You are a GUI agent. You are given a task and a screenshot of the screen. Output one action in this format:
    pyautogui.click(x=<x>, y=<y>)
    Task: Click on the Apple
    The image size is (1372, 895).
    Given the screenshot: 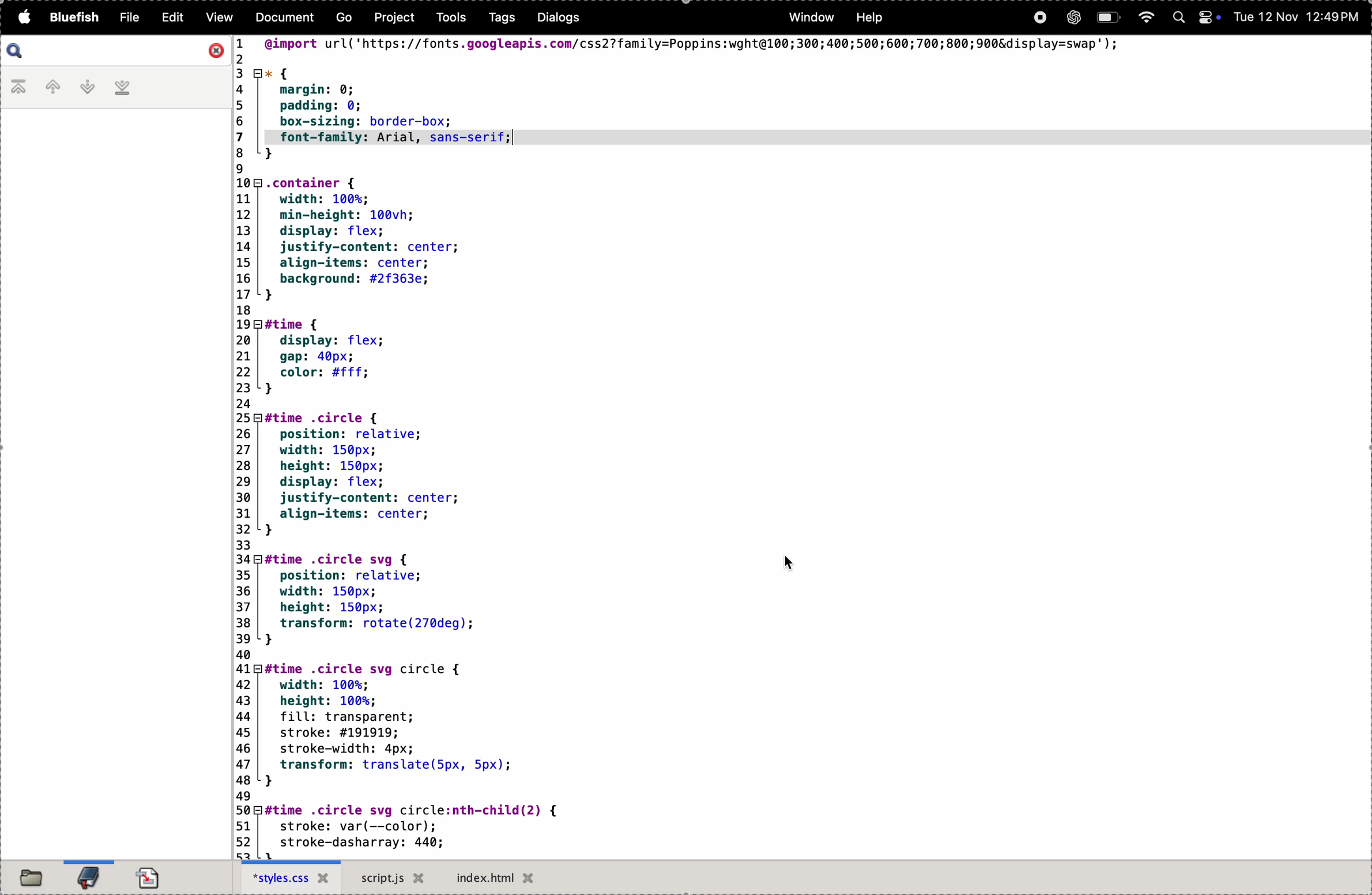 What is the action you would take?
    pyautogui.click(x=22, y=18)
    